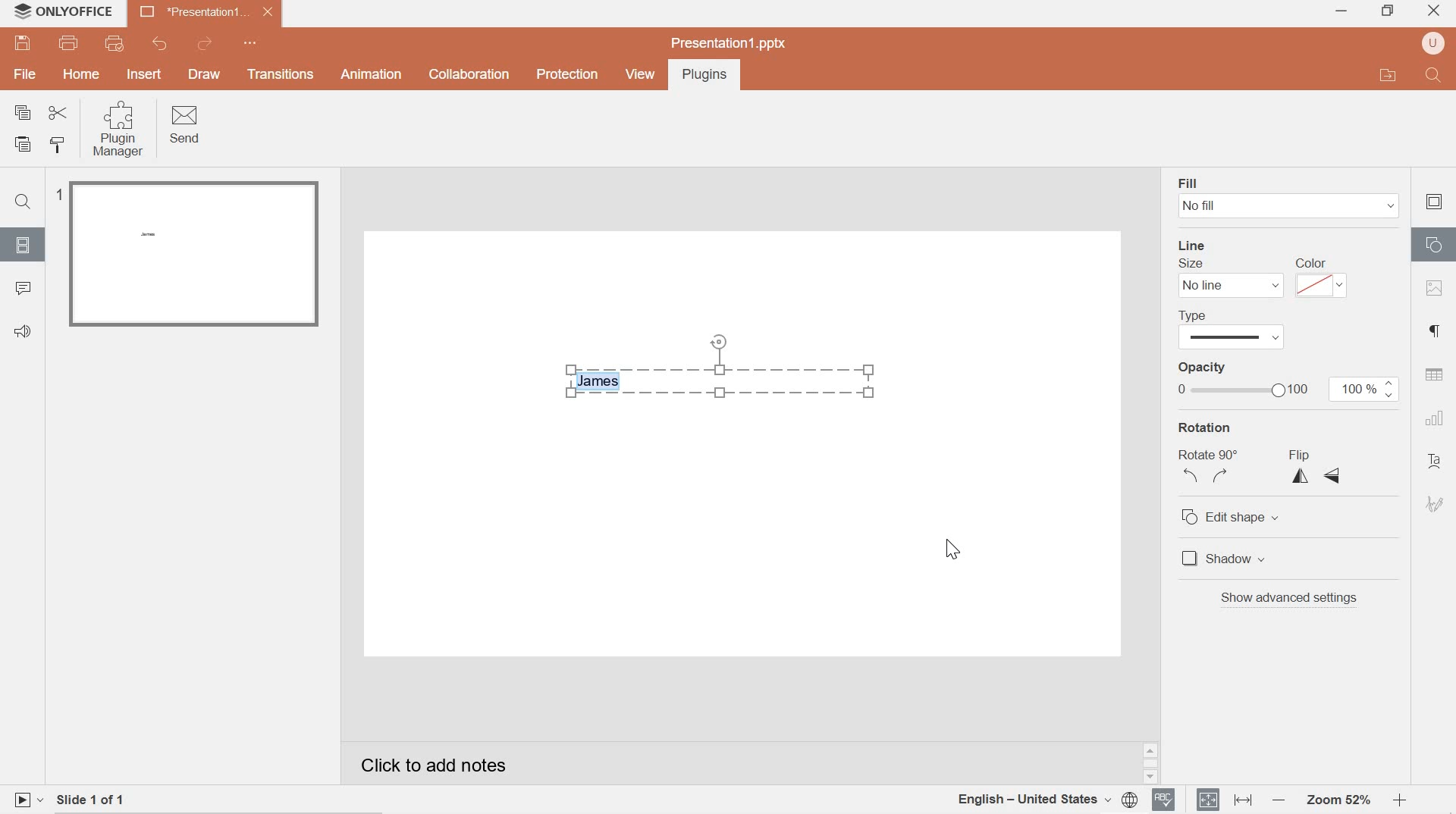  Describe the element at coordinates (1435, 374) in the screenshot. I see `table` at that location.